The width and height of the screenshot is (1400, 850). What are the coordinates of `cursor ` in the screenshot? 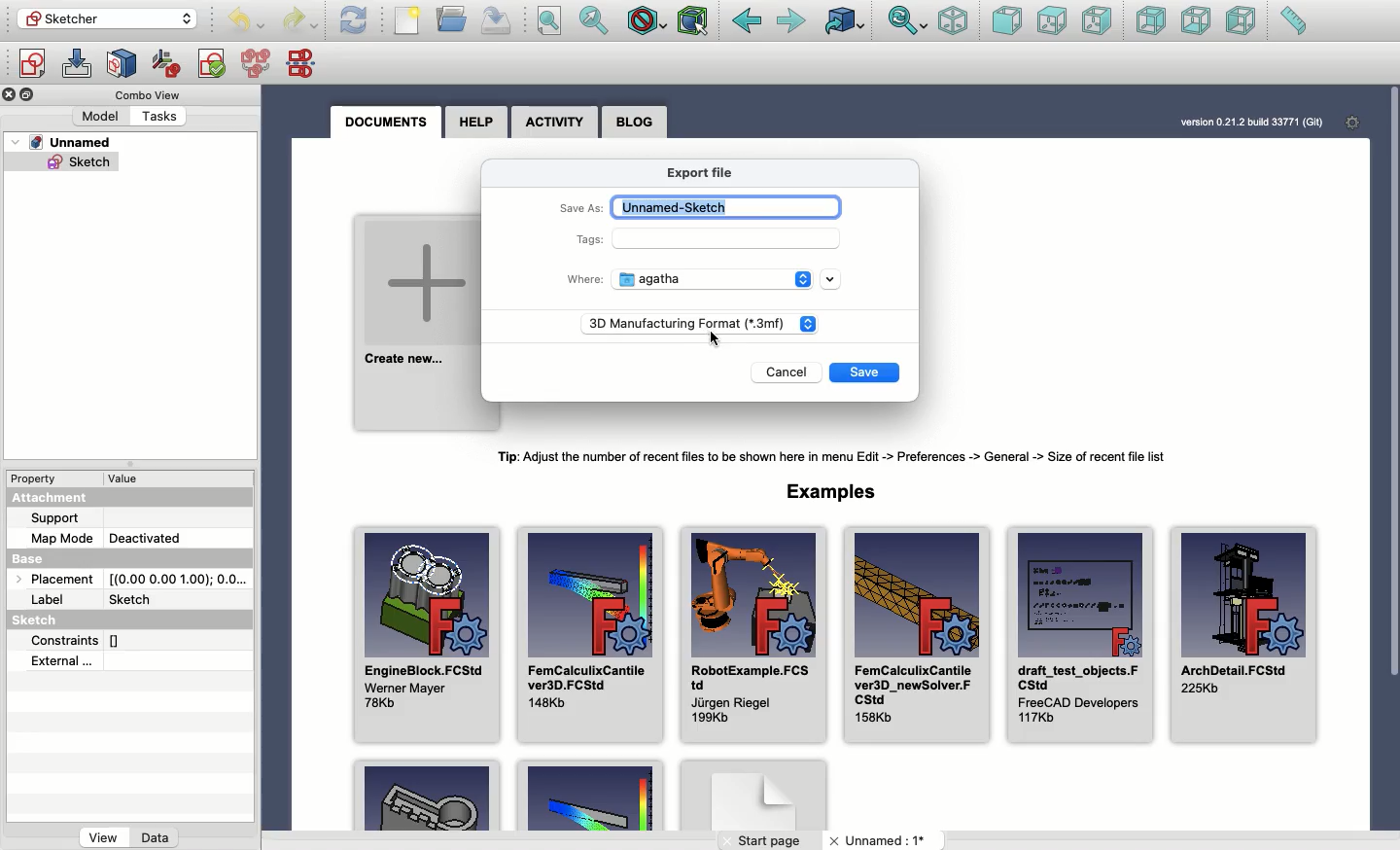 It's located at (705, 339).